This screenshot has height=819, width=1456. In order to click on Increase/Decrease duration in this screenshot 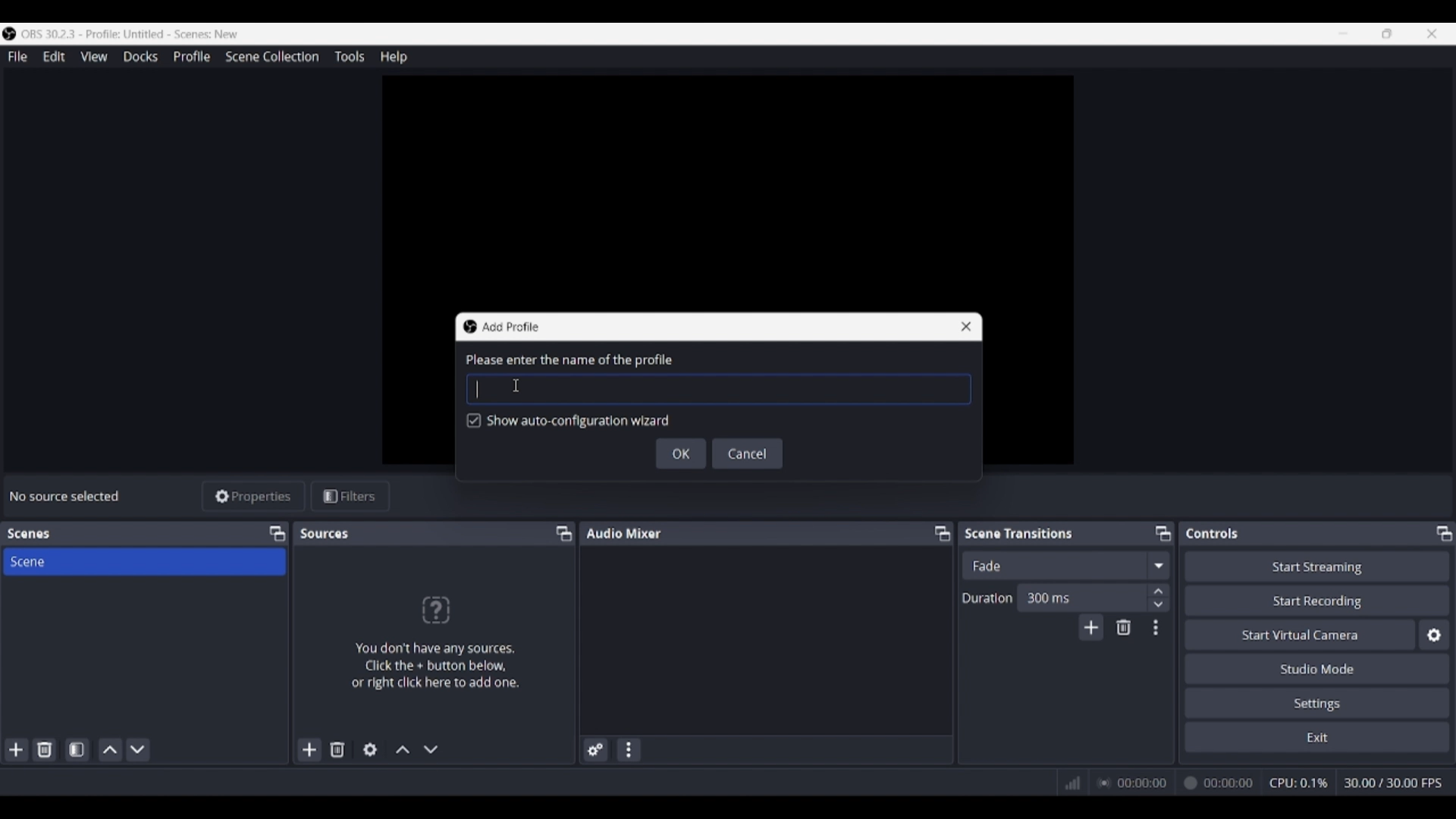, I will do `click(1159, 597)`.